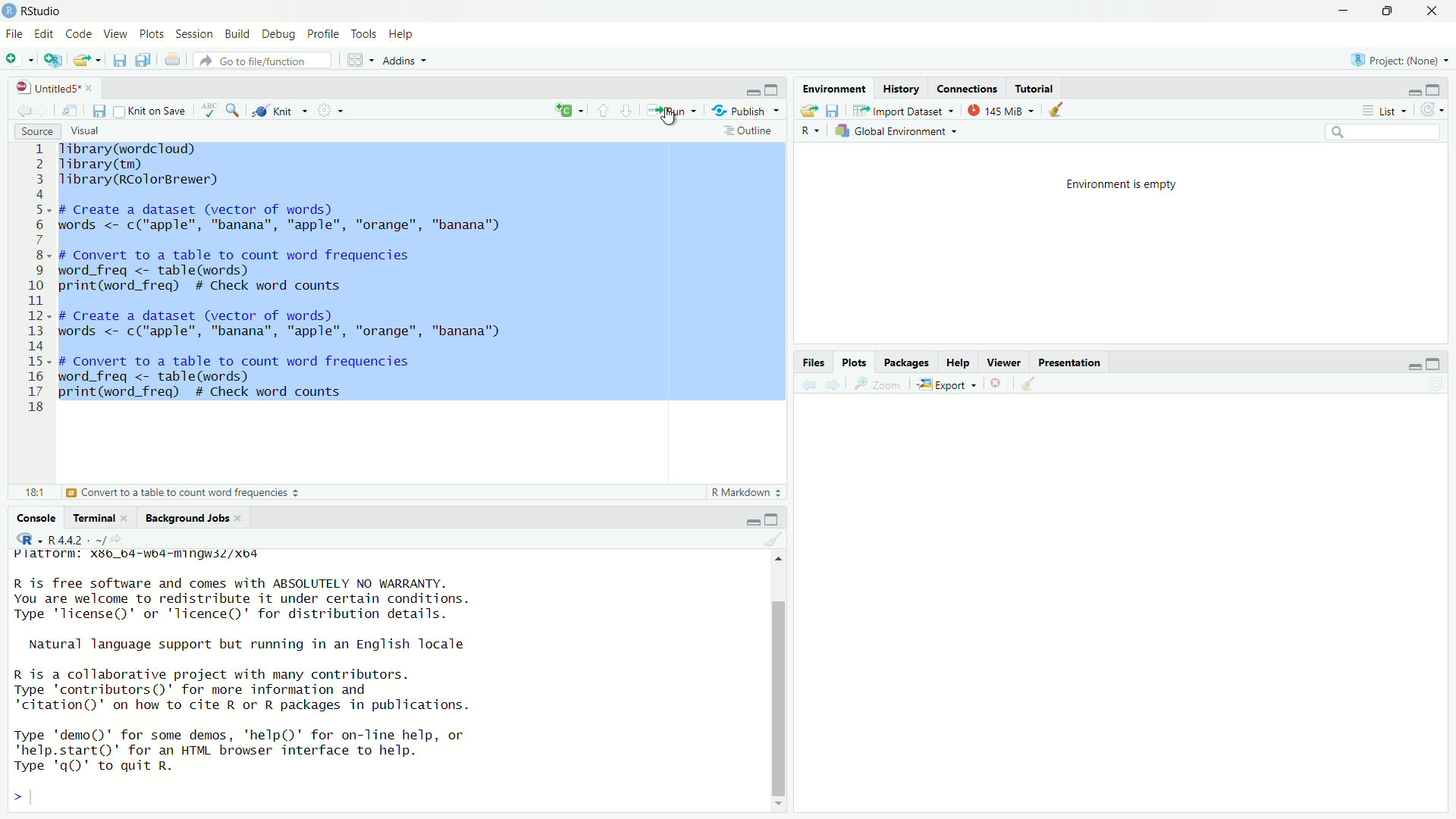 The height and width of the screenshot is (819, 1456). I want to click on Delete selected files, so click(997, 383).